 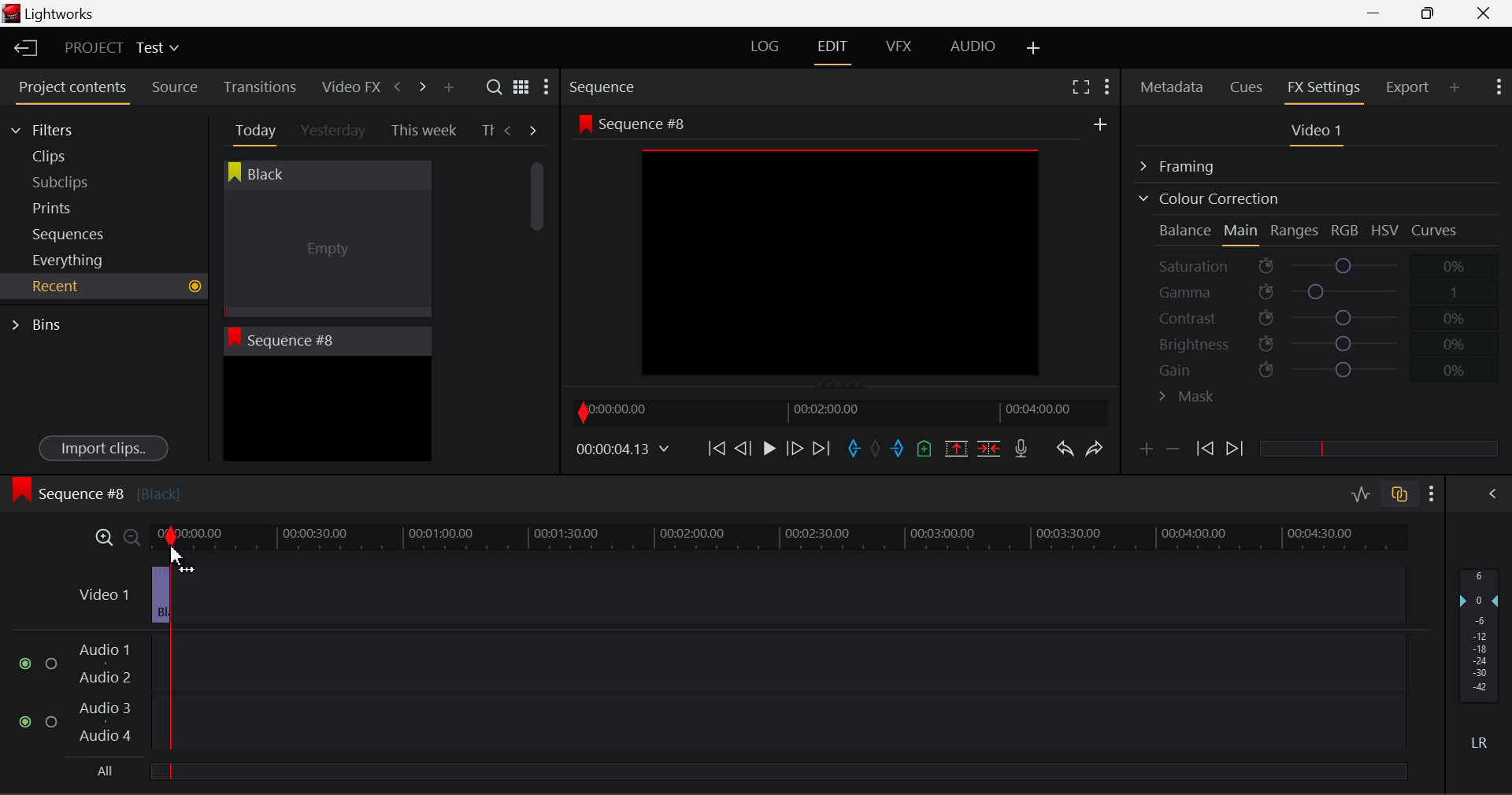 I want to click on Cursor MOUSE_DOWN on Black Clip, so click(x=325, y=253).